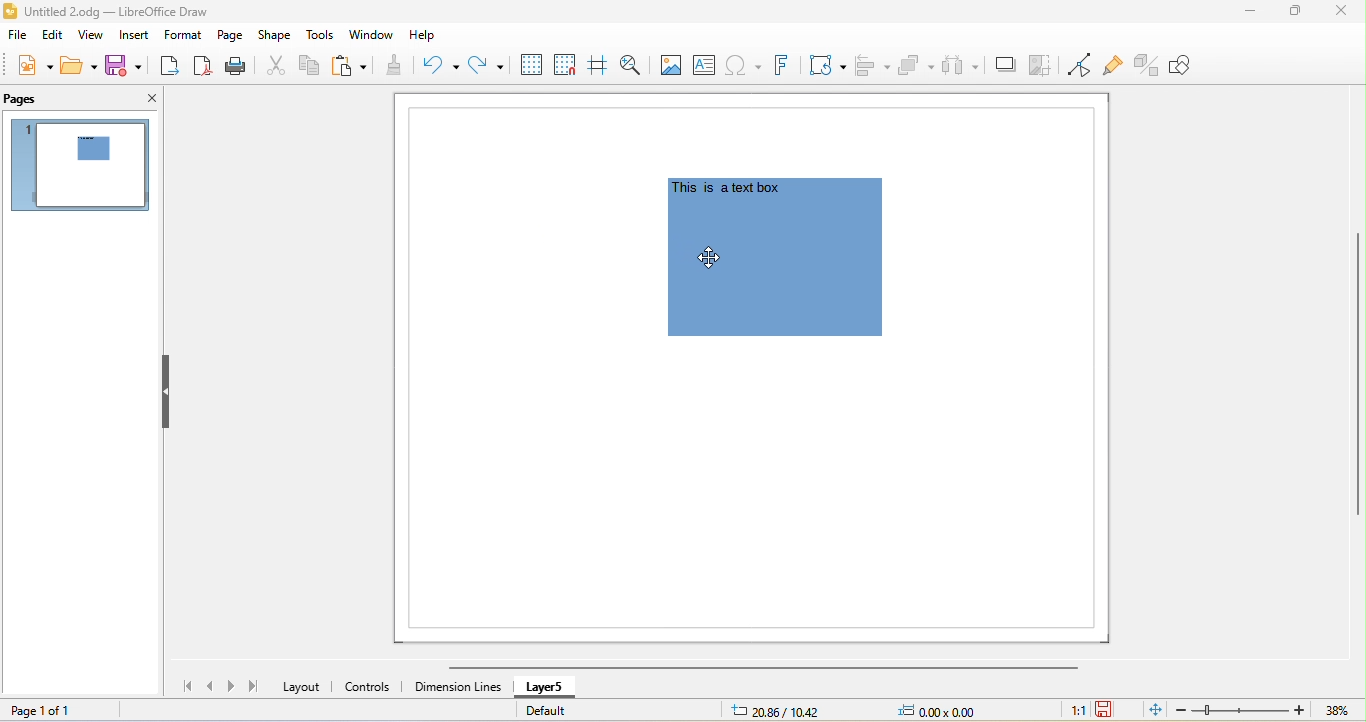 The height and width of the screenshot is (722, 1366). What do you see at coordinates (322, 36) in the screenshot?
I see `tools` at bounding box center [322, 36].